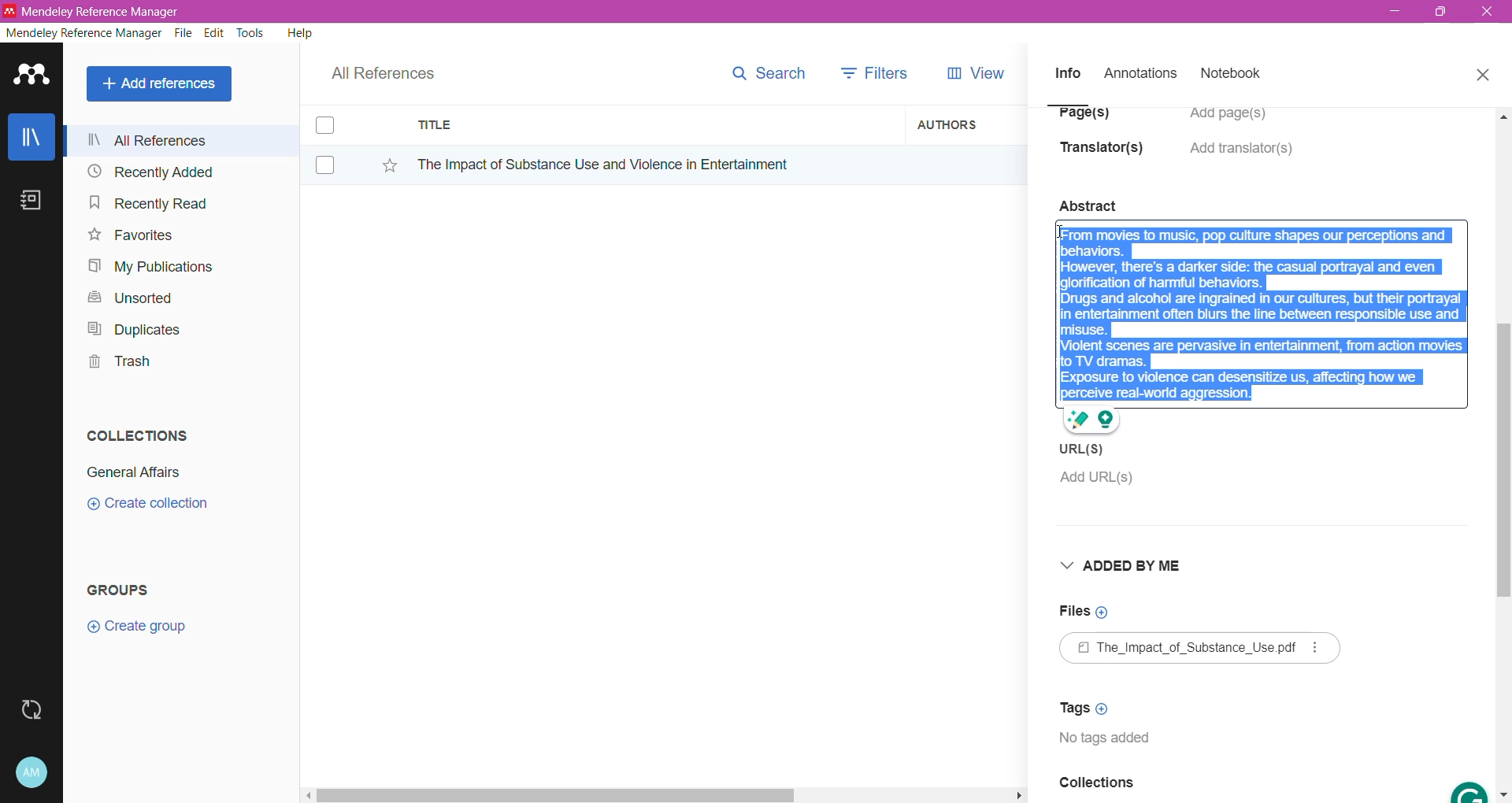 The image size is (1512, 803). Describe the element at coordinates (1203, 649) in the screenshot. I see `Available File` at that location.